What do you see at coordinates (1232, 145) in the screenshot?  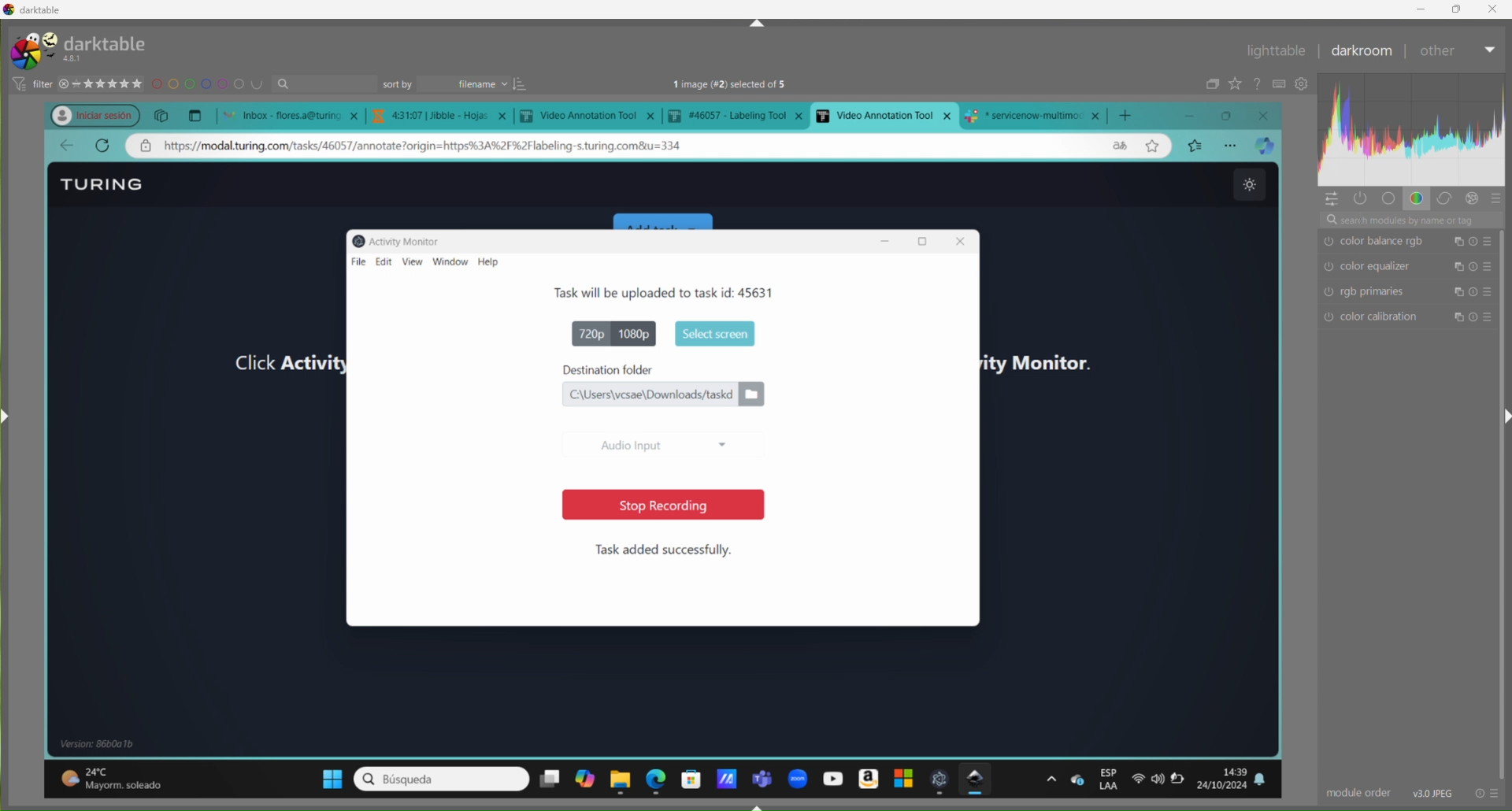 I see `options` at bounding box center [1232, 145].